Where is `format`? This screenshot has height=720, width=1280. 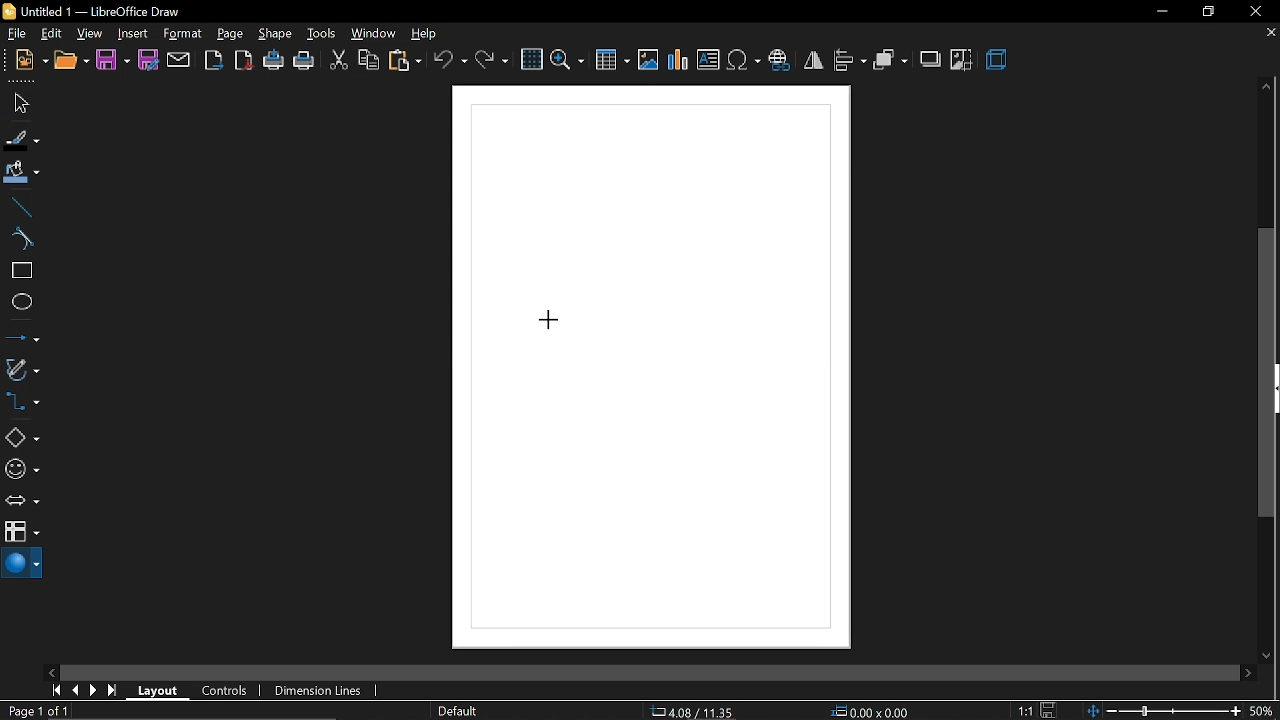
format is located at coordinates (183, 33).